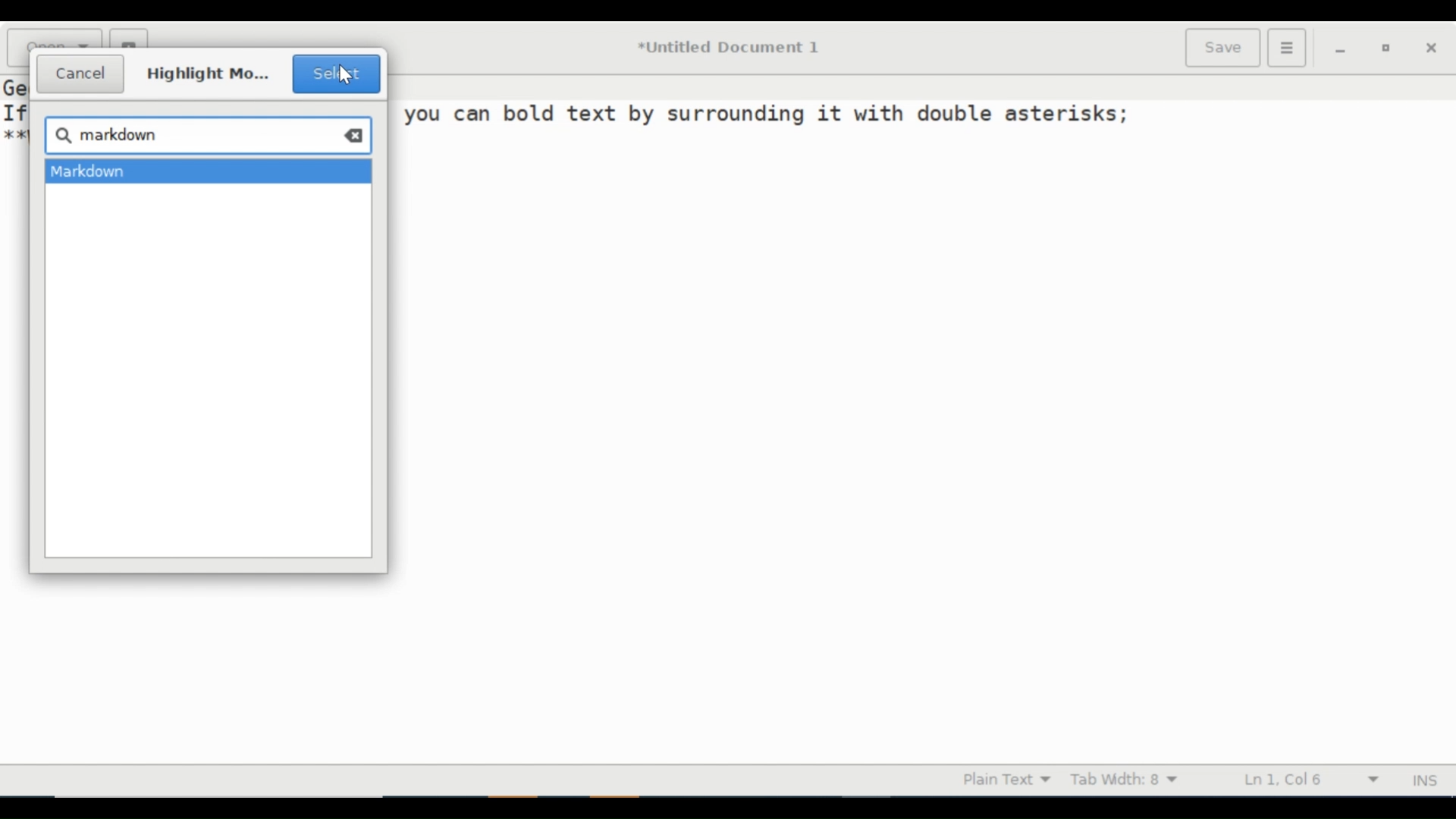  Describe the element at coordinates (353, 136) in the screenshot. I see `clear all` at that location.